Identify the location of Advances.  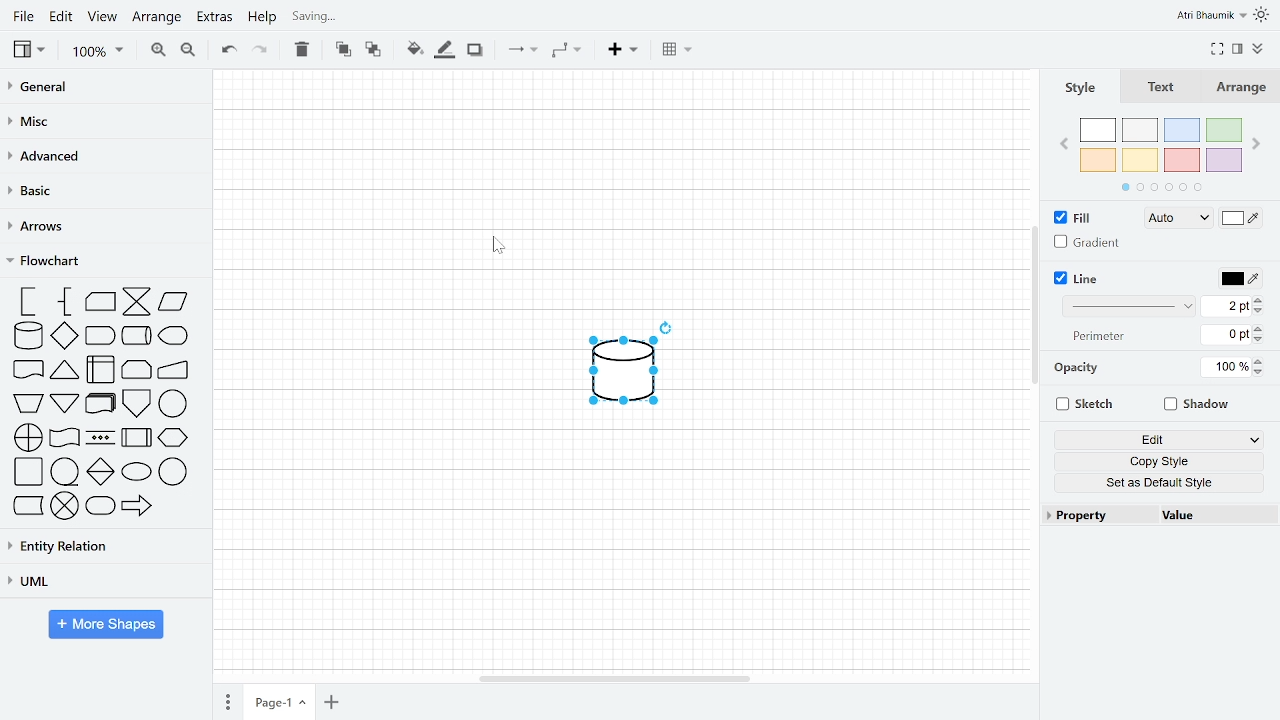
(101, 156).